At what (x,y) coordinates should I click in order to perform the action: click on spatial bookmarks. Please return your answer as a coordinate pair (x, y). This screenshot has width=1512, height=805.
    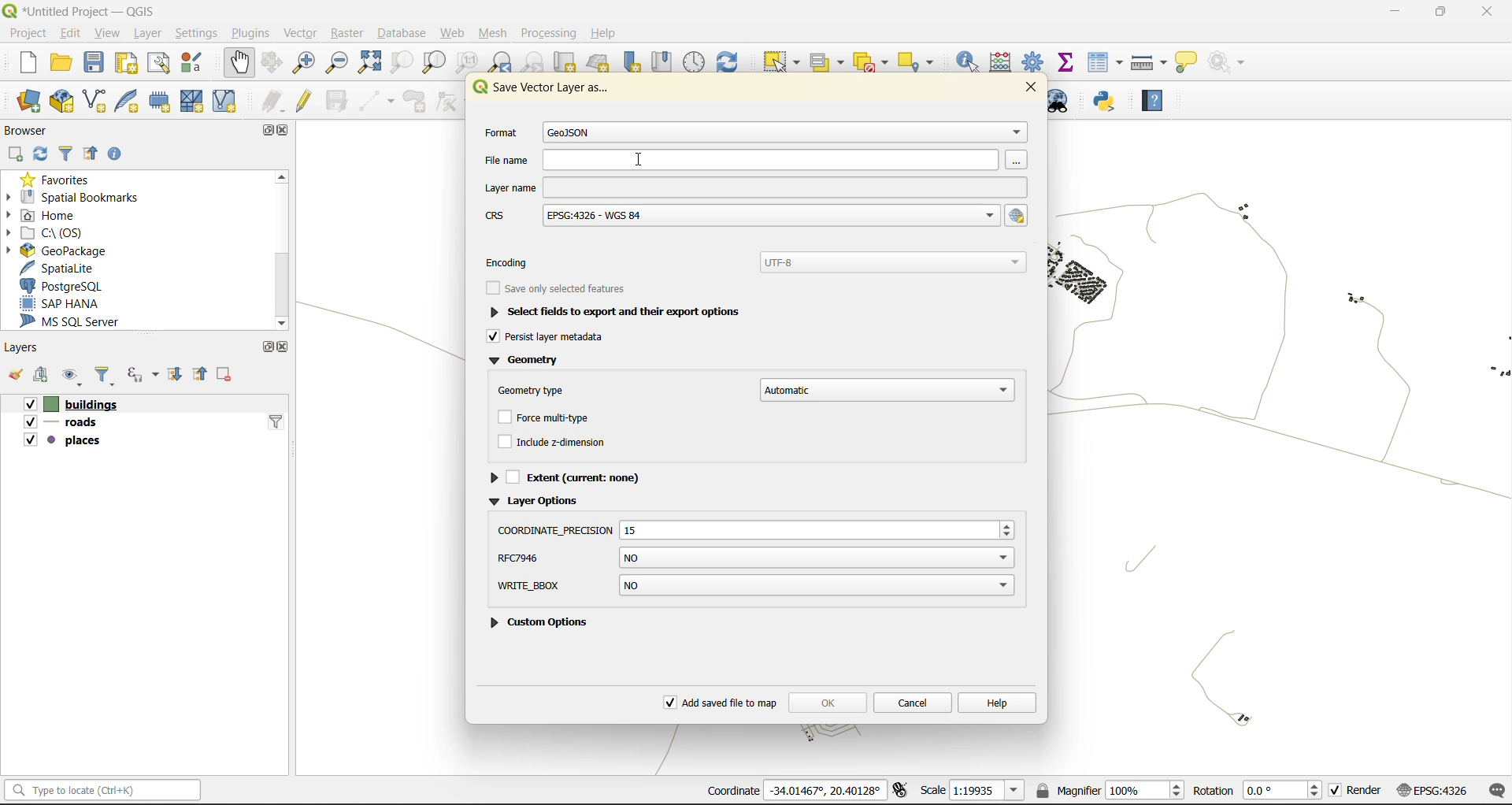
    Looking at the image, I should click on (81, 198).